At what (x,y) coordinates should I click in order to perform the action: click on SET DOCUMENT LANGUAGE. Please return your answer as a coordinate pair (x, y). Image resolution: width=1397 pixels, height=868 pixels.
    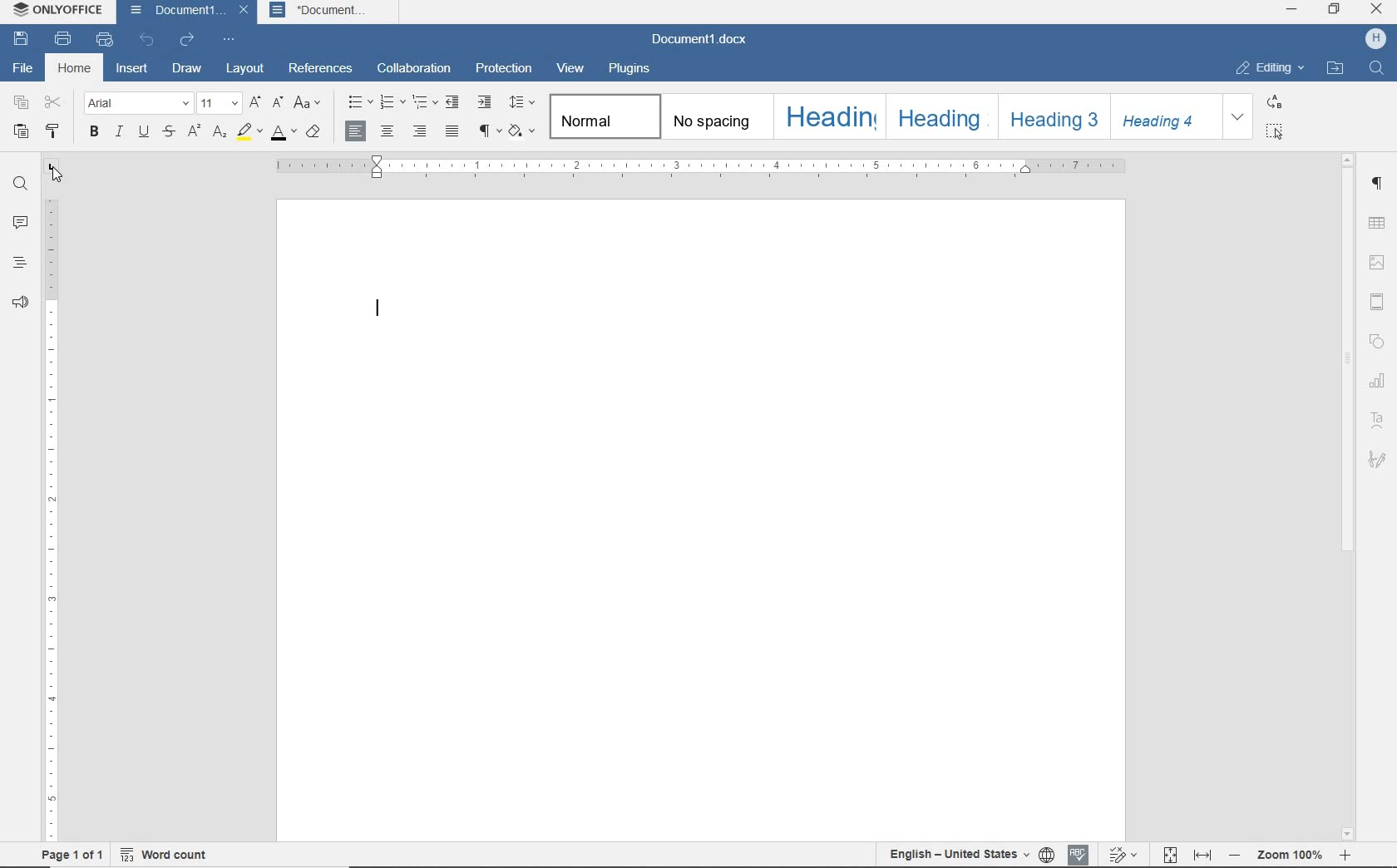
    Looking at the image, I should click on (1047, 855).